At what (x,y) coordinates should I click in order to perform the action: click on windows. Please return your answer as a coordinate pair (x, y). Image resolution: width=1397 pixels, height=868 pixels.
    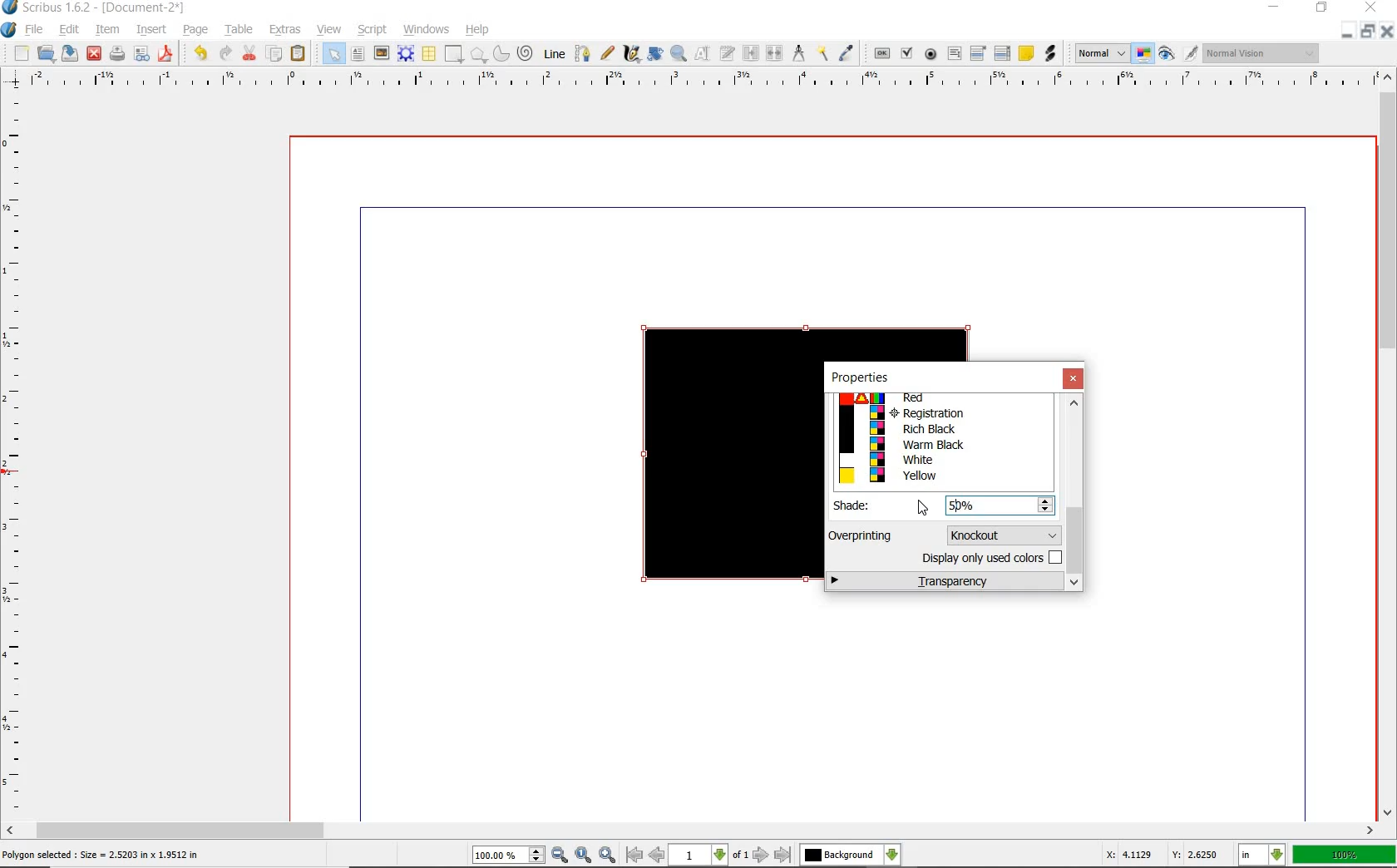
    Looking at the image, I should click on (423, 29).